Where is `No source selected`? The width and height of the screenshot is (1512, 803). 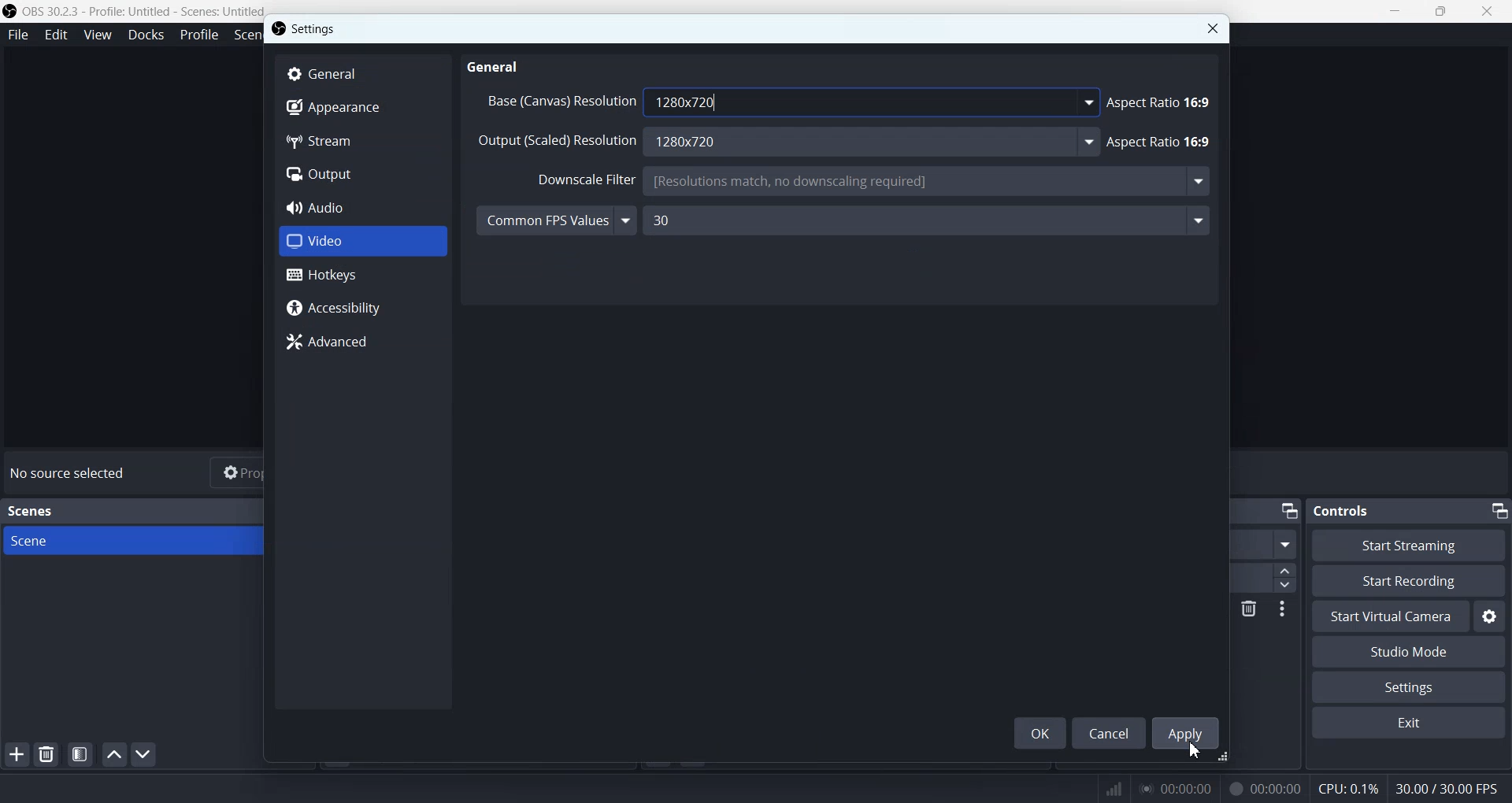
No source selected is located at coordinates (72, 475).